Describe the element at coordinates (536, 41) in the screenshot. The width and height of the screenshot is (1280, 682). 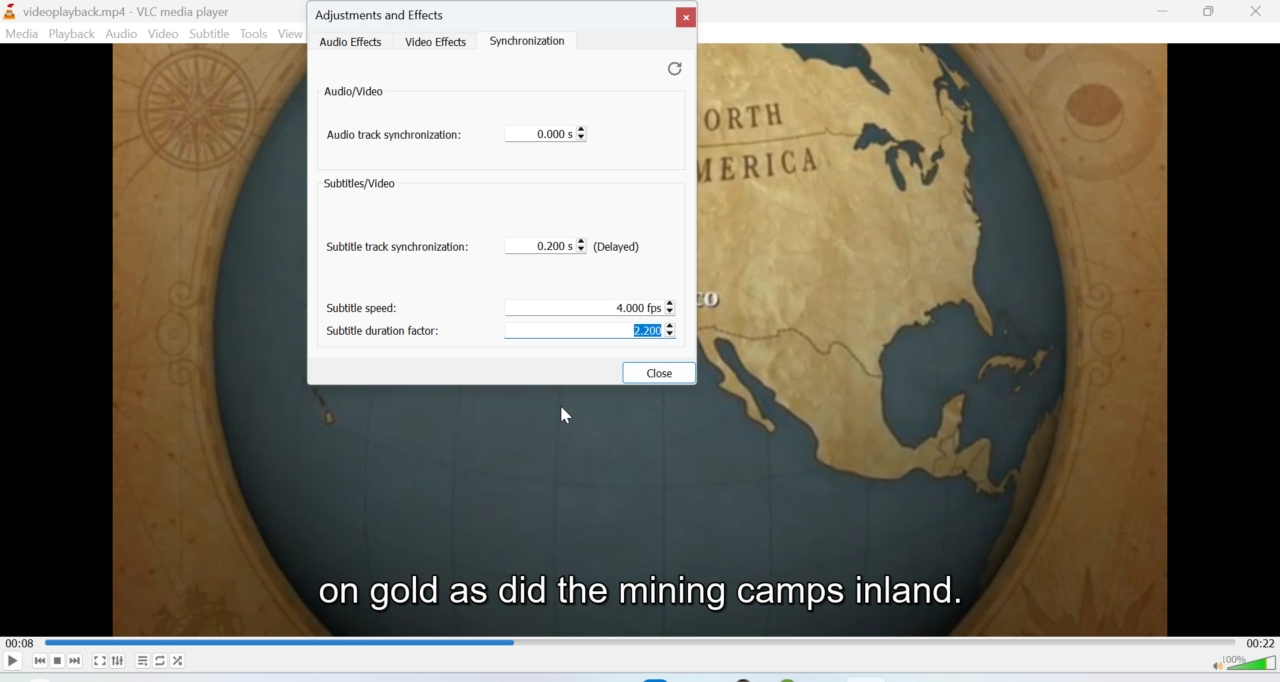
I see `synchronization` at that location.